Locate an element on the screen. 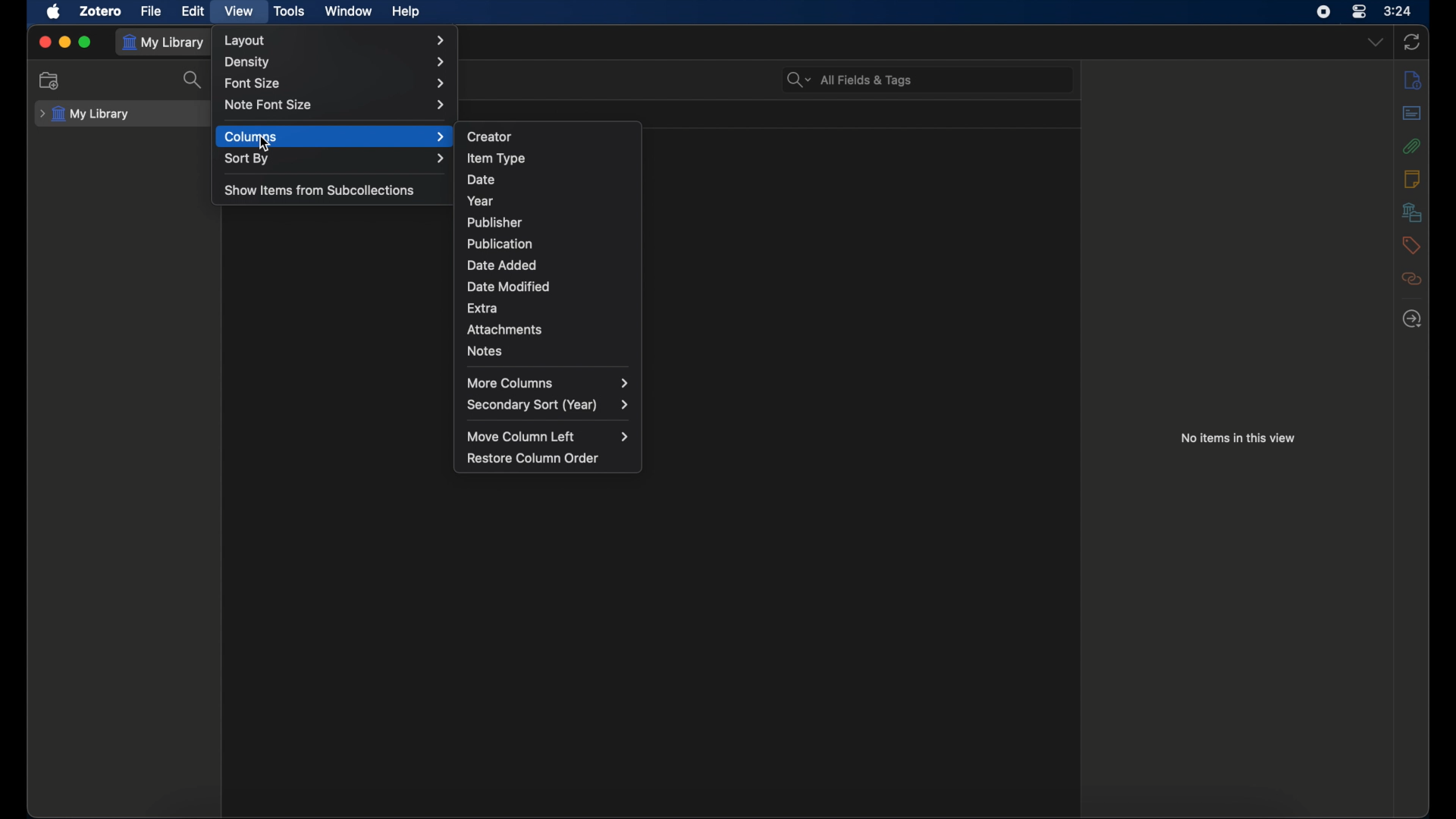 The height and width of the screenshot is (819, 1456). year is located at coordinates (481, 201).